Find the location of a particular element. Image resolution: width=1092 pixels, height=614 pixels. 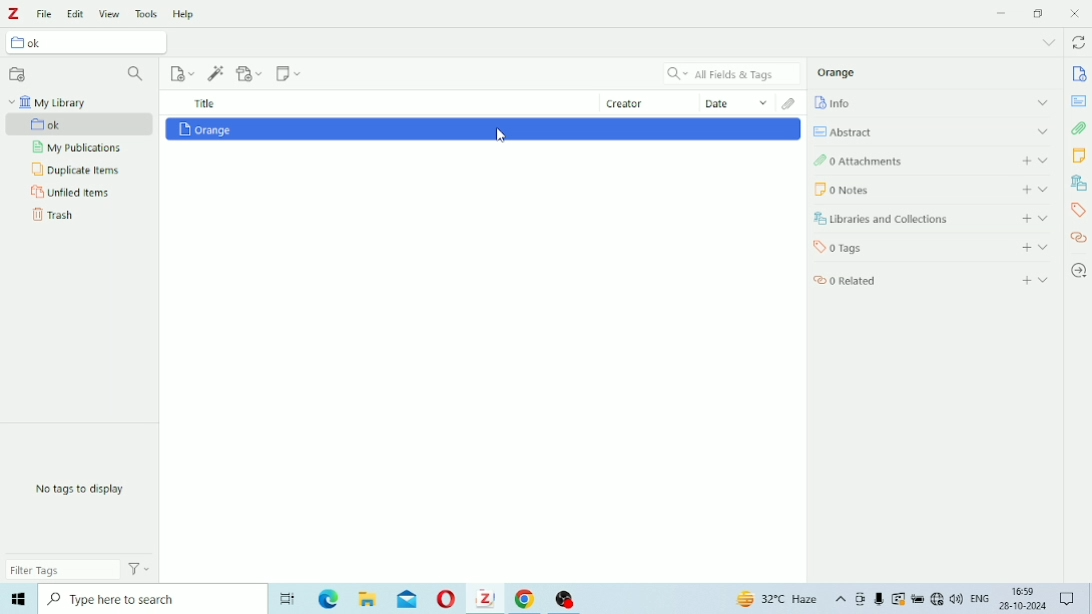

Notes is located at coordinates (934, 189).